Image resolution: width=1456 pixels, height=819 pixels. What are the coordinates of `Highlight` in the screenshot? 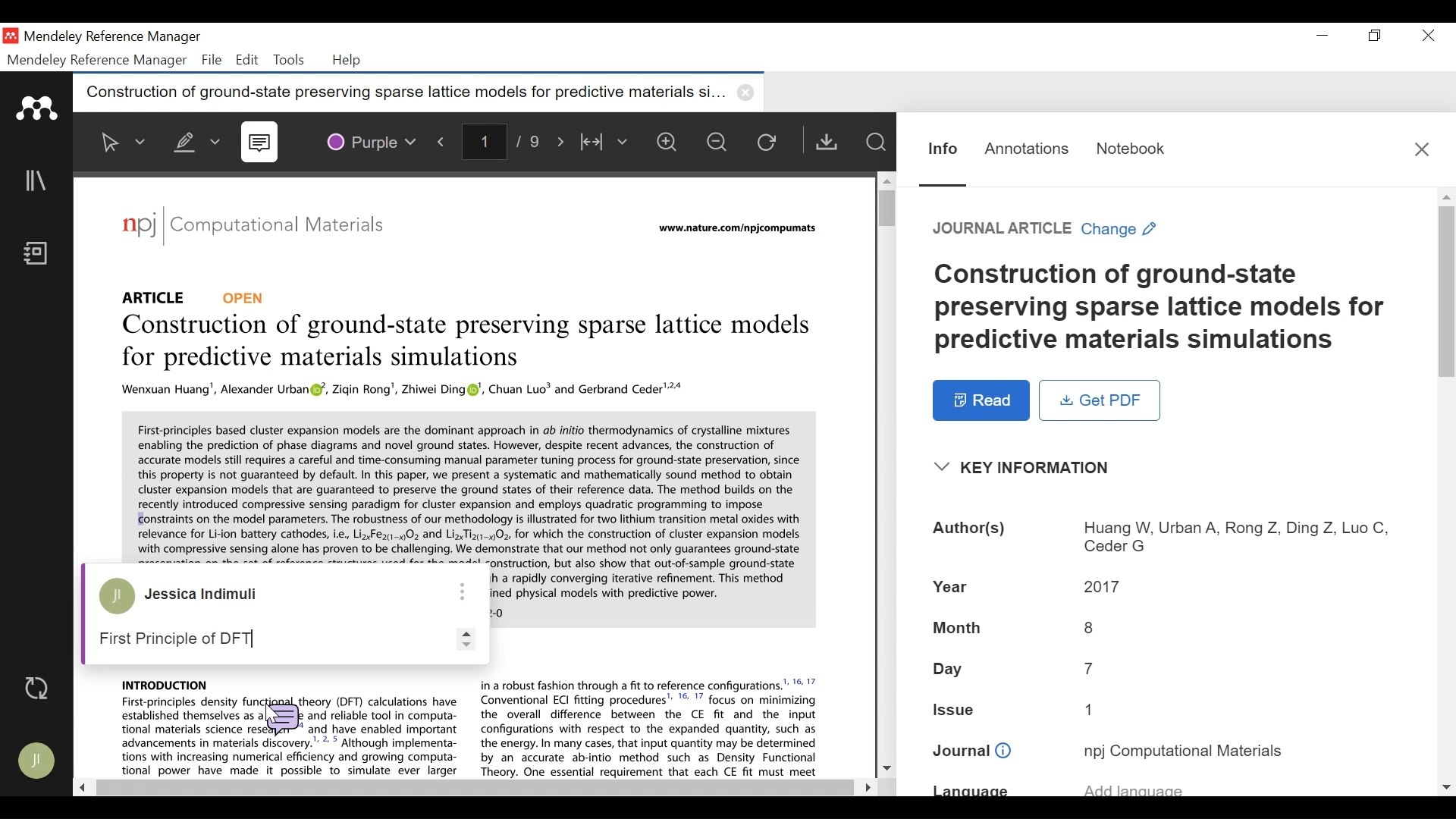 It's located at (193, 139).